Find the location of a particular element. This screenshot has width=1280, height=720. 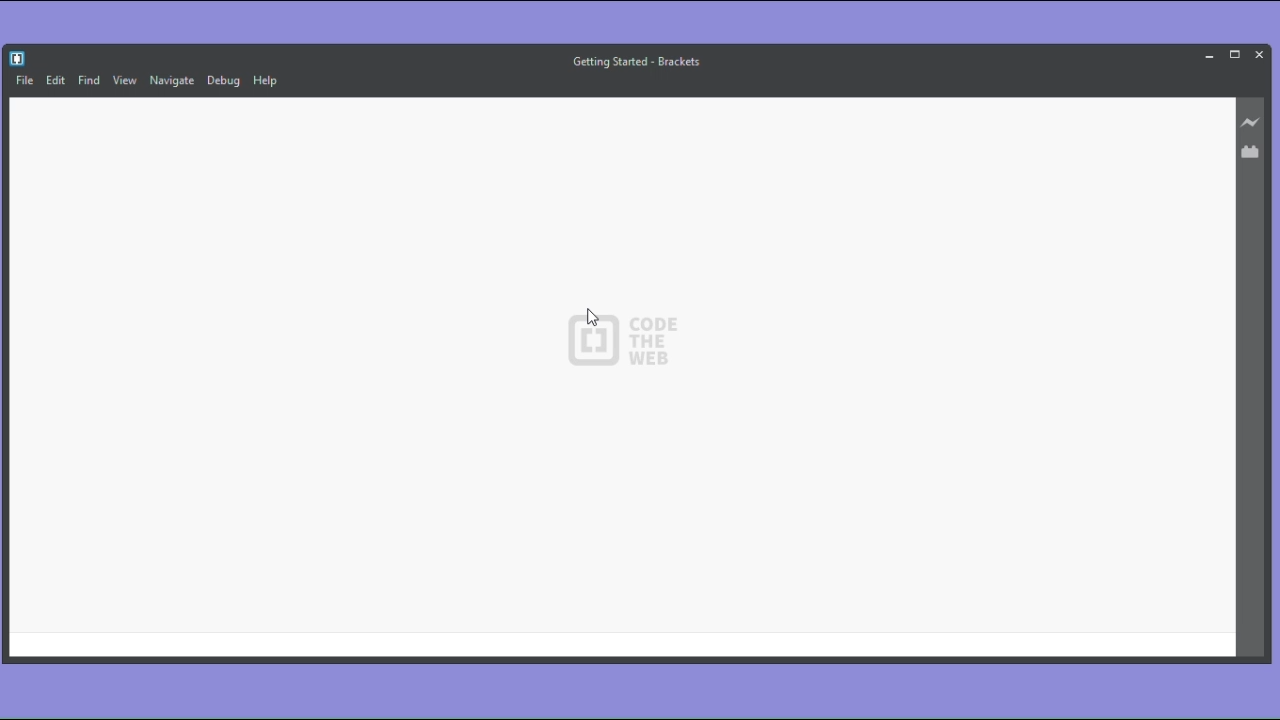

Find is located at coordinates (88, 81).